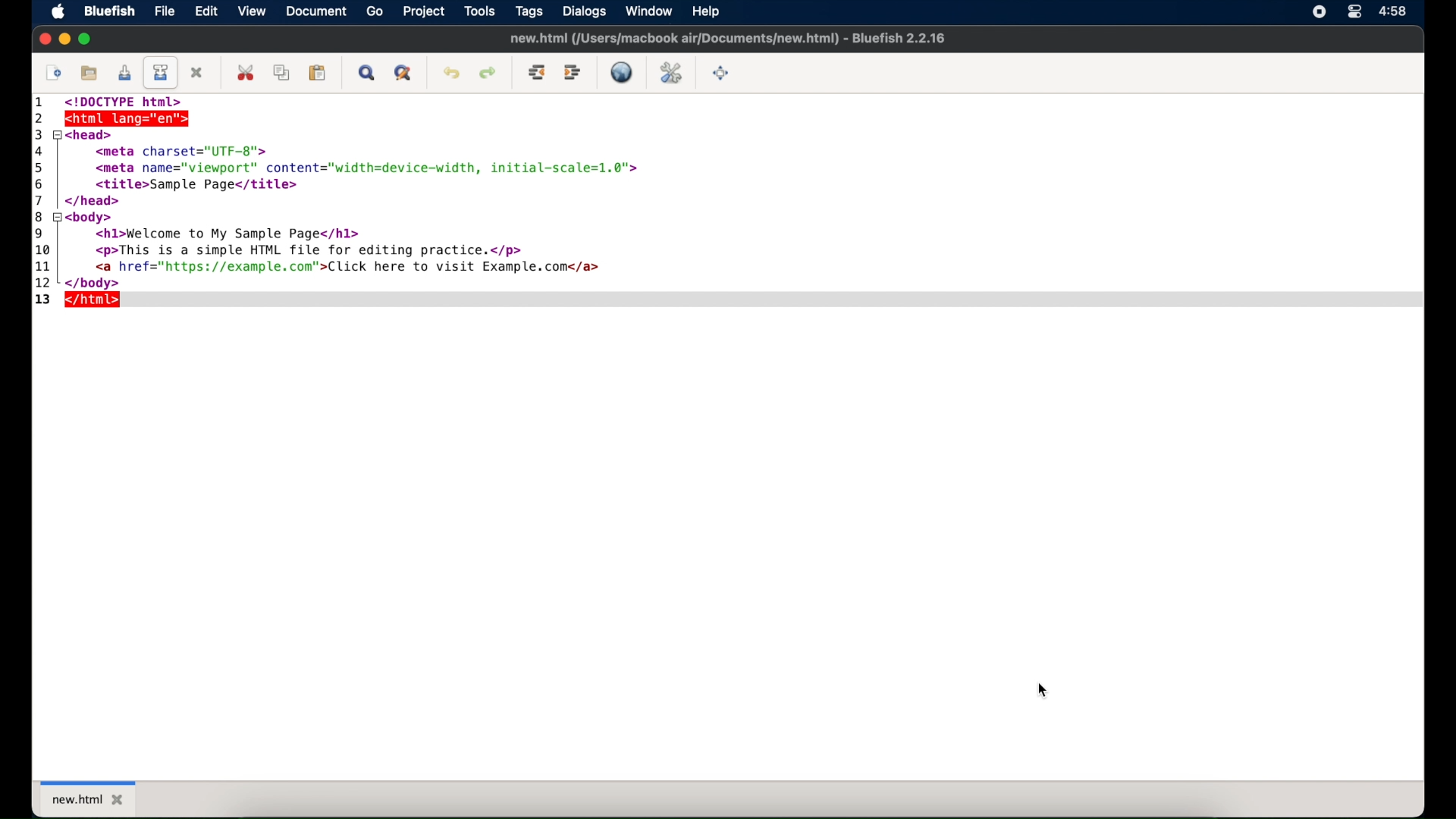 The height and width of the screenshot is (819, 1456). Describe the element at coordinates (488, 73) in the screenshot. I see `redo` at that location.